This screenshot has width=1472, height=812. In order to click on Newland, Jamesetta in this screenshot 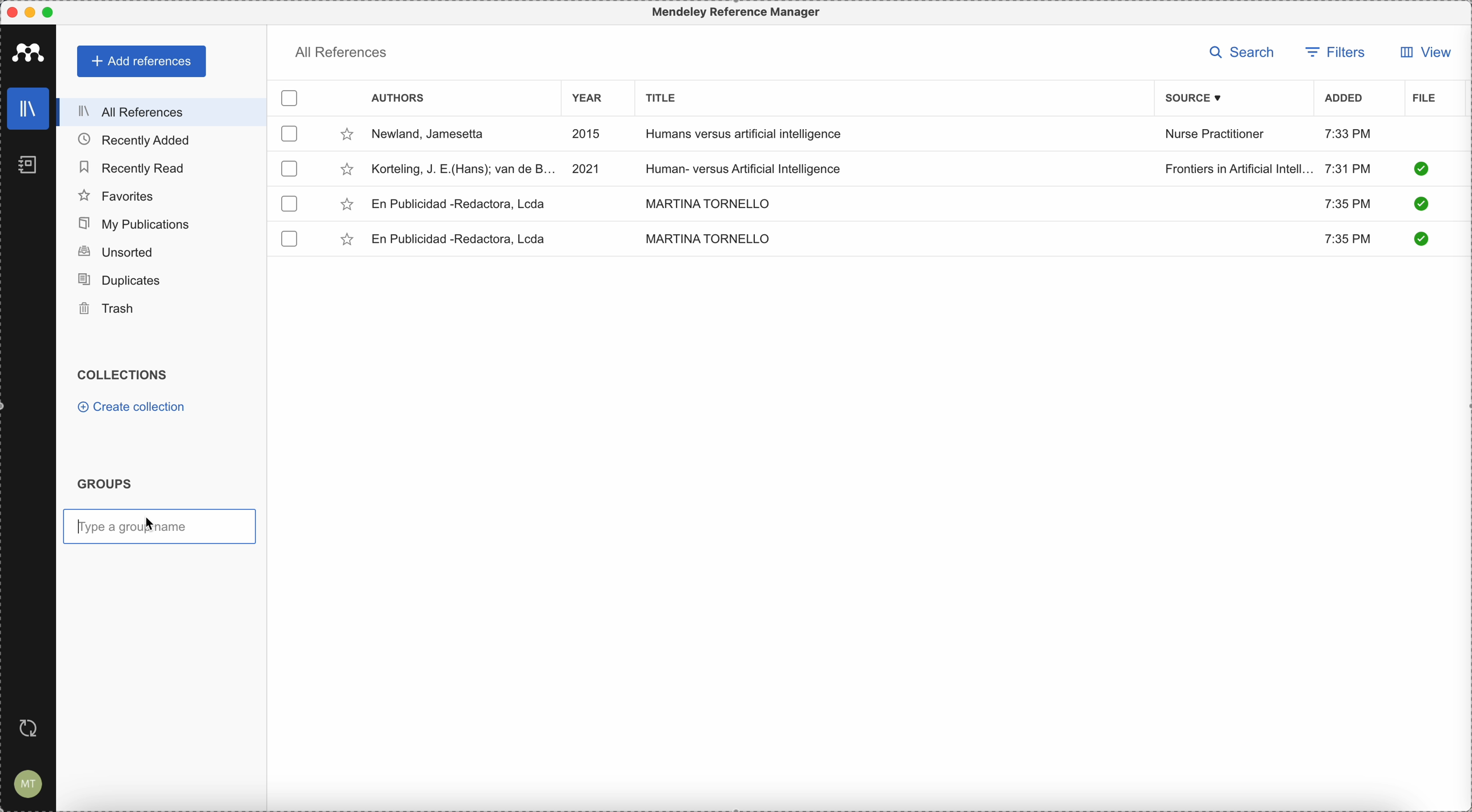, I will do `click(434, 135)`.